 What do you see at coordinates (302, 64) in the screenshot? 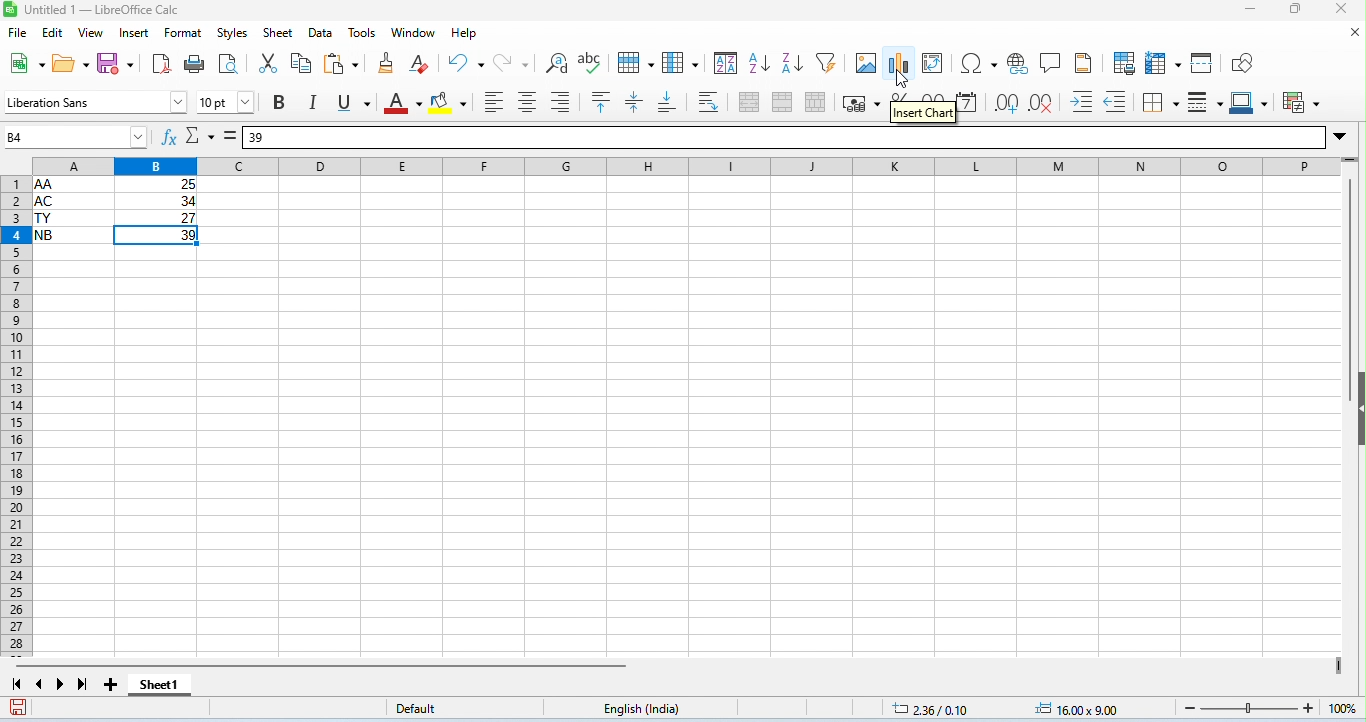
I see `copy` at bounding box center [302, 64].